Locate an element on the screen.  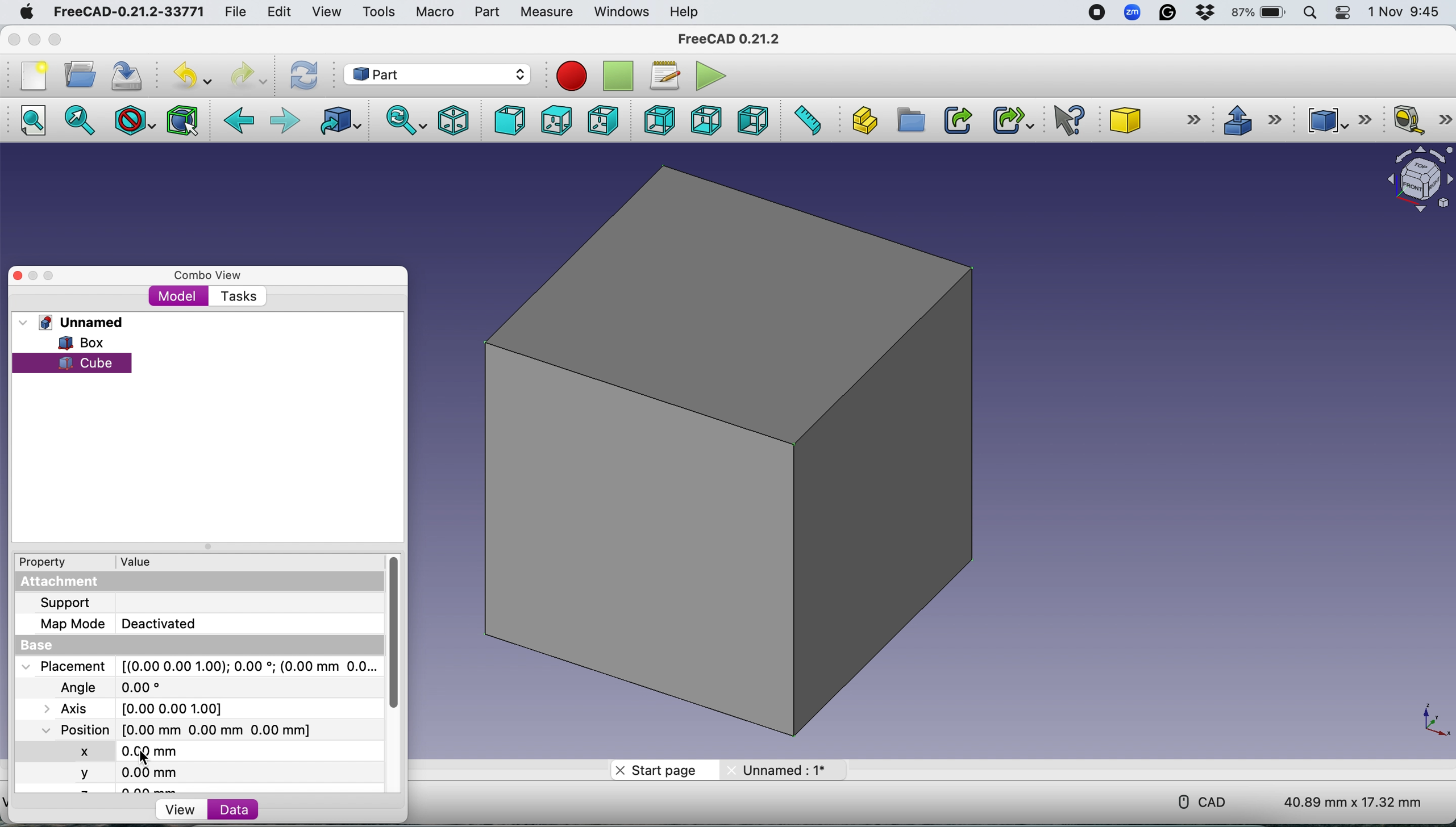
Bottom is located at coordinates (706, 120).